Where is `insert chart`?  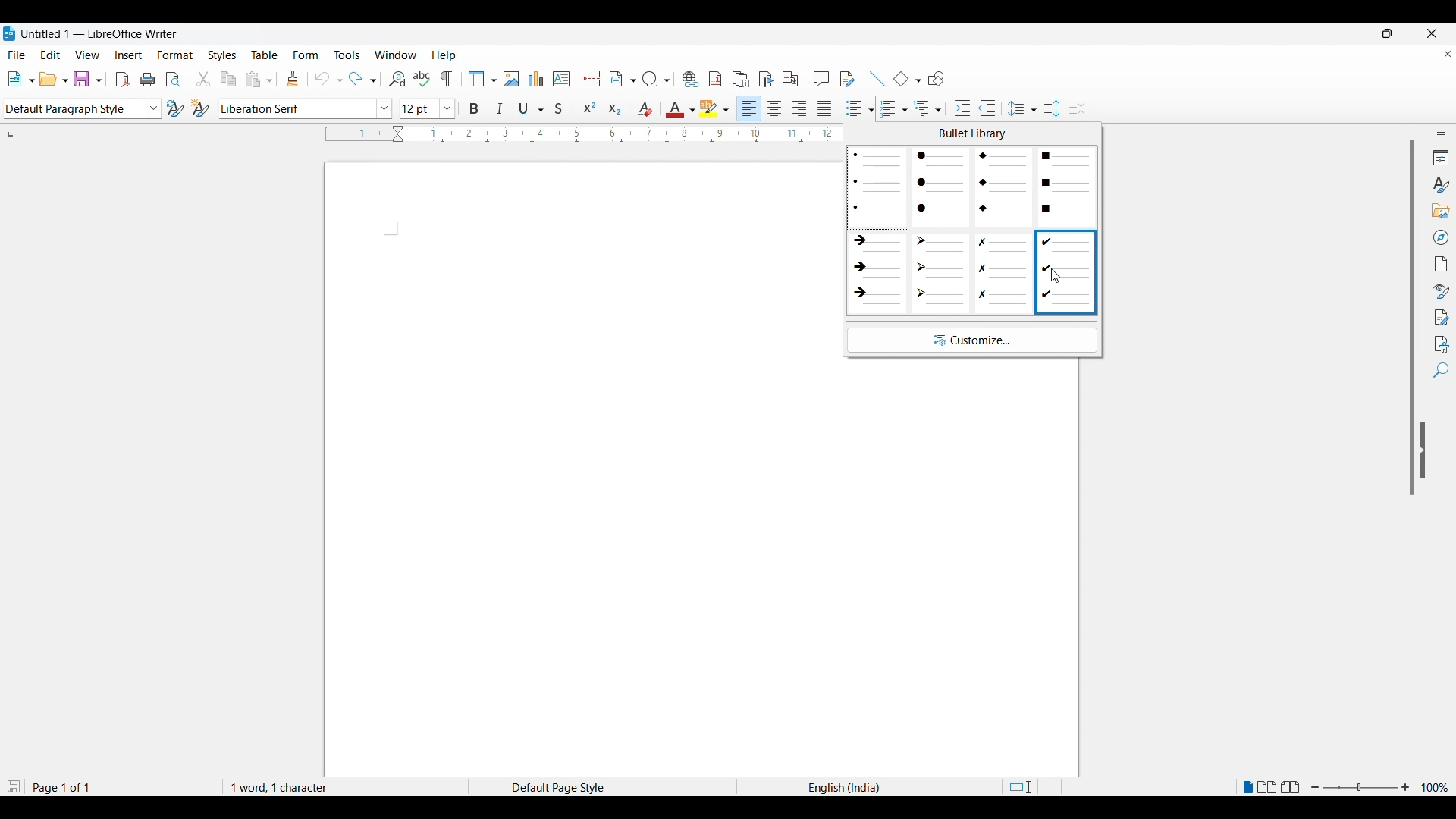
insert chart is located at coordinates (537, 77).